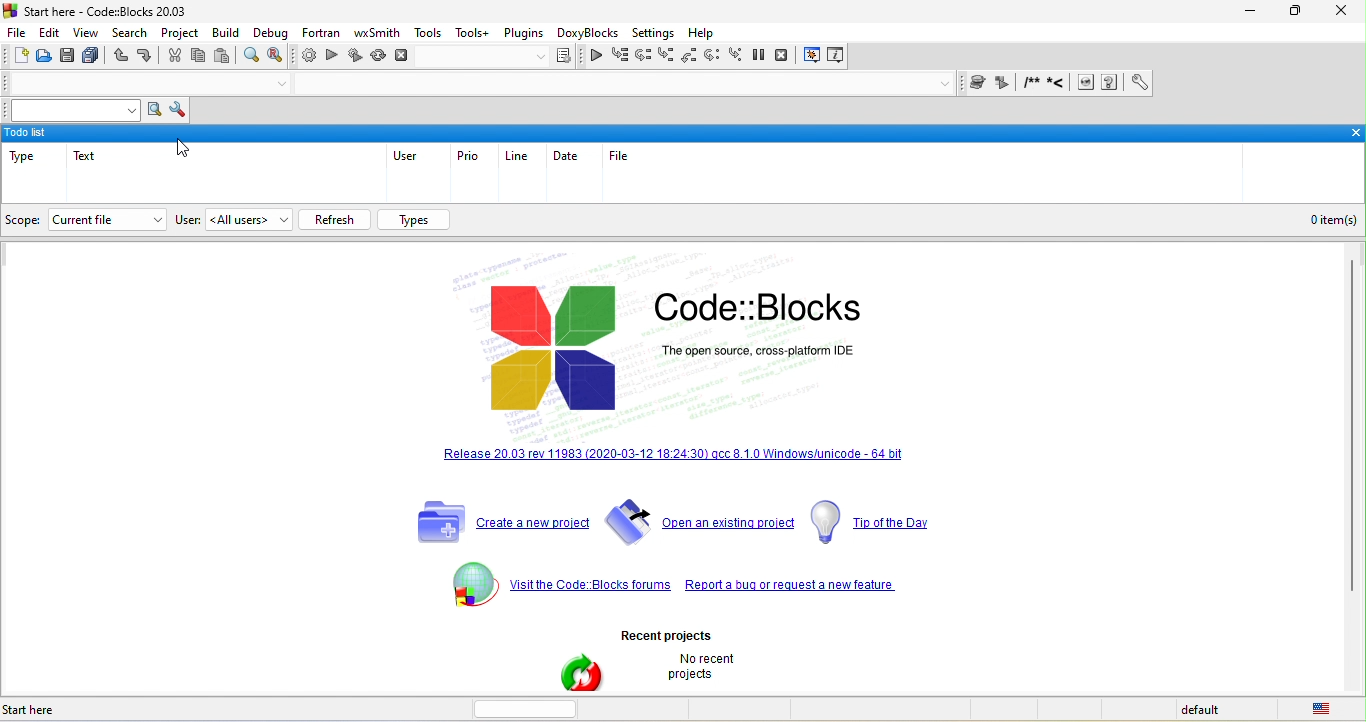  What do you see at coordinates (624, 155) in the screenshot?
I see `file` at bounding box center [624, 155].